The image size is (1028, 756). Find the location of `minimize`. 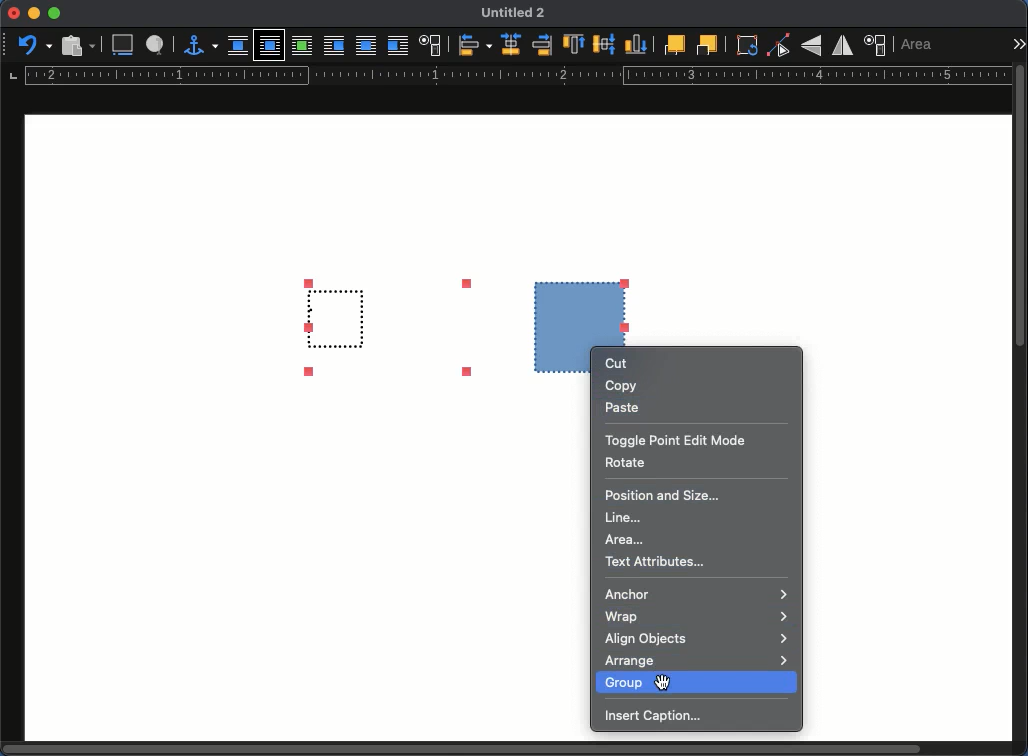

minimize is located at coordinates (34, 13).